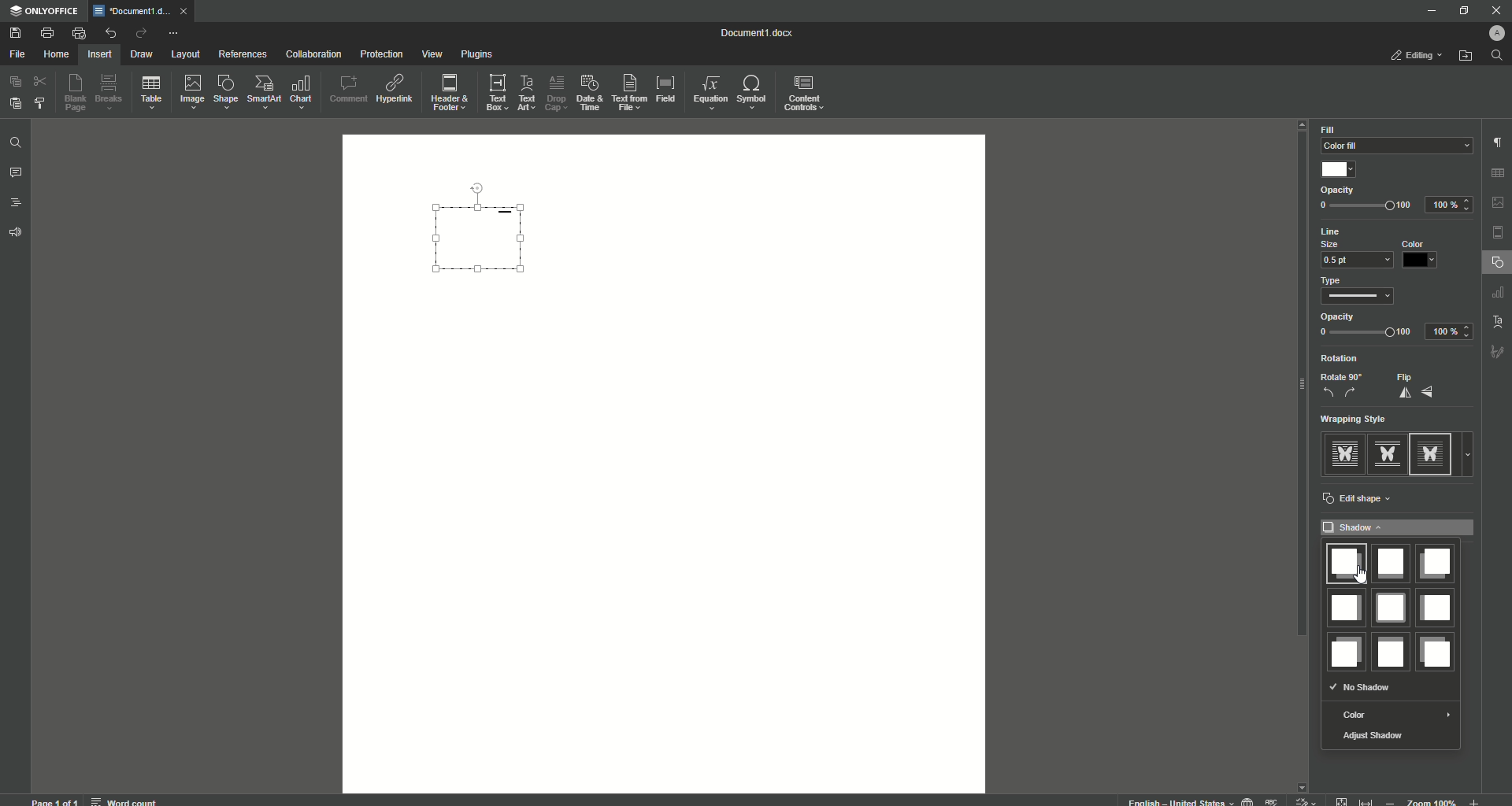 This screenshot has width=1512, height=806. Describe the element at coordinates (1394, 715) in the screenshot. I see `Color` at that location.